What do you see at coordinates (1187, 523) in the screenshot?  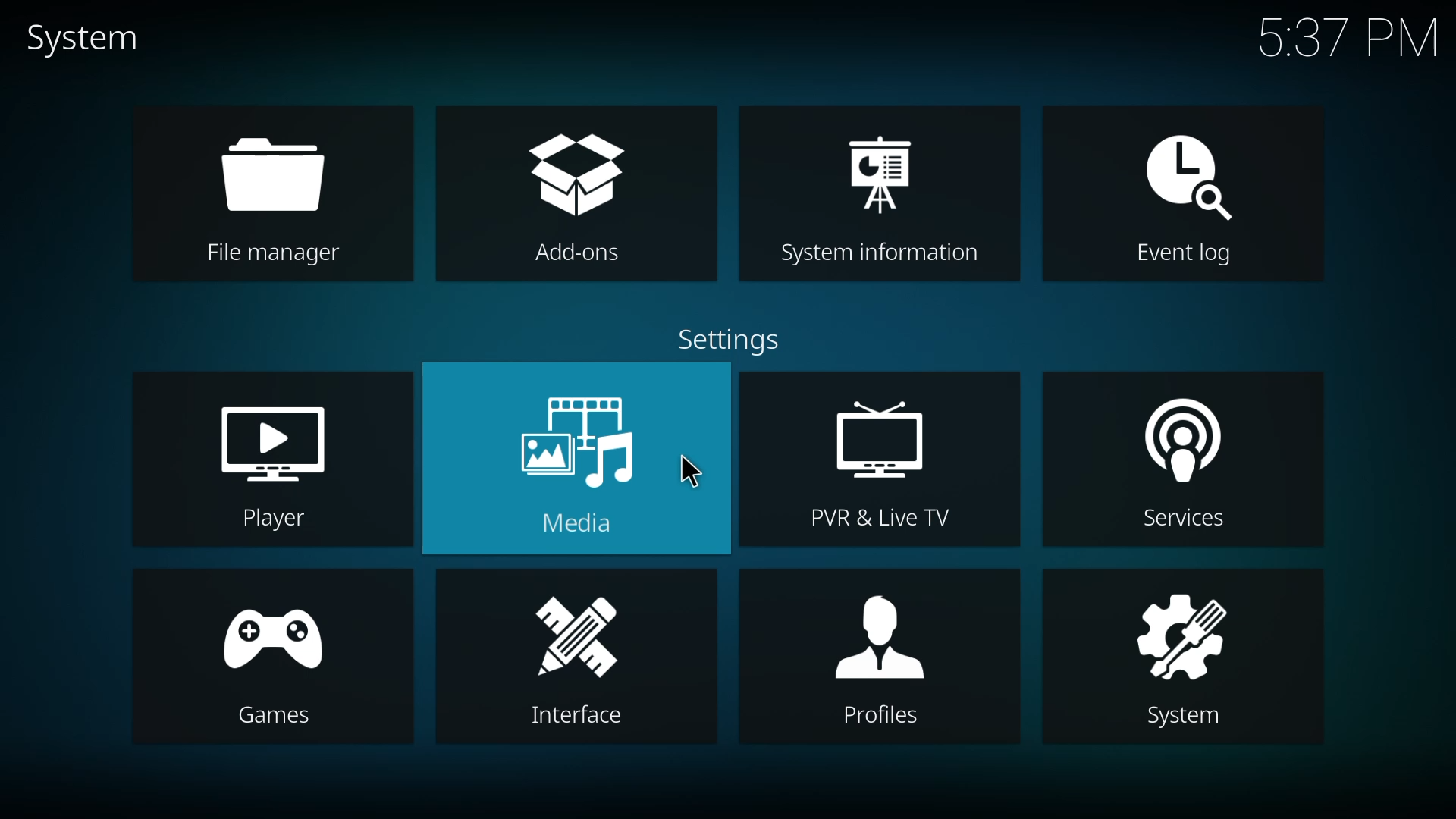 I see `Services` at bounding box center [1187, 523].